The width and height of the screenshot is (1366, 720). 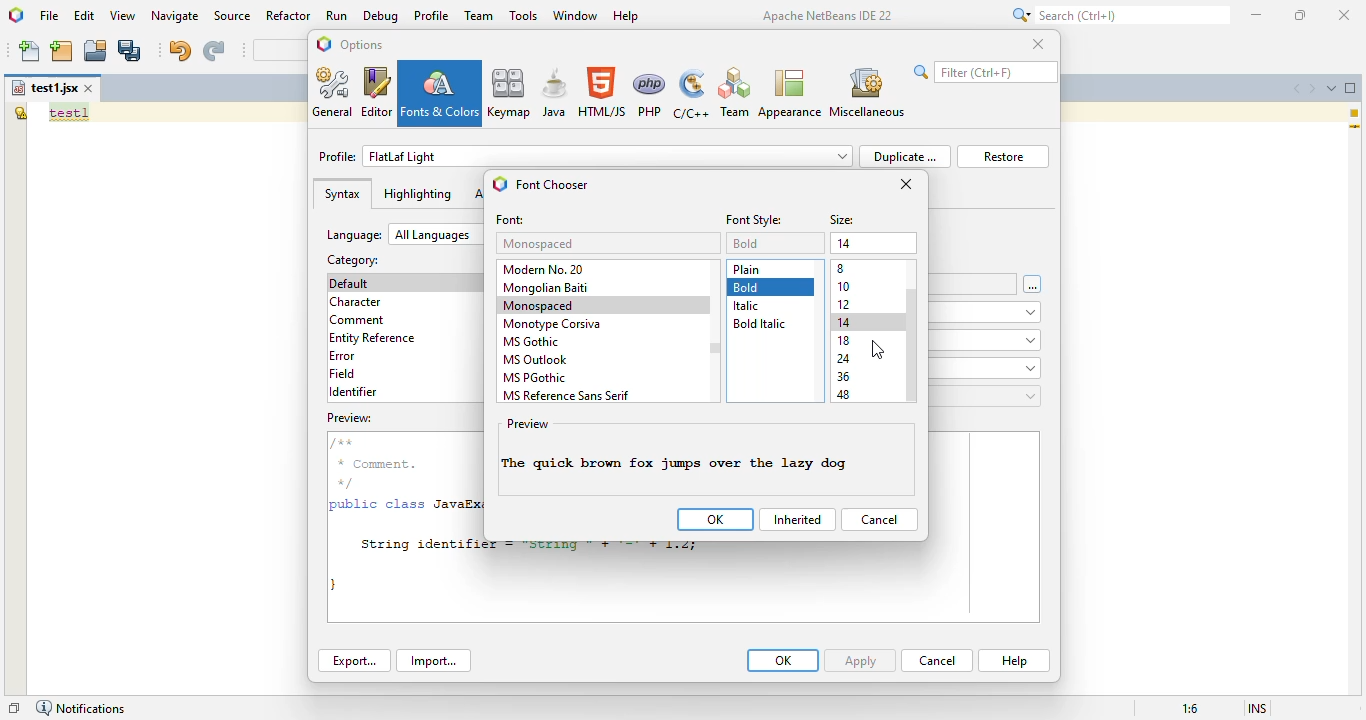 I want to click on }, so click(x=336, y=583).